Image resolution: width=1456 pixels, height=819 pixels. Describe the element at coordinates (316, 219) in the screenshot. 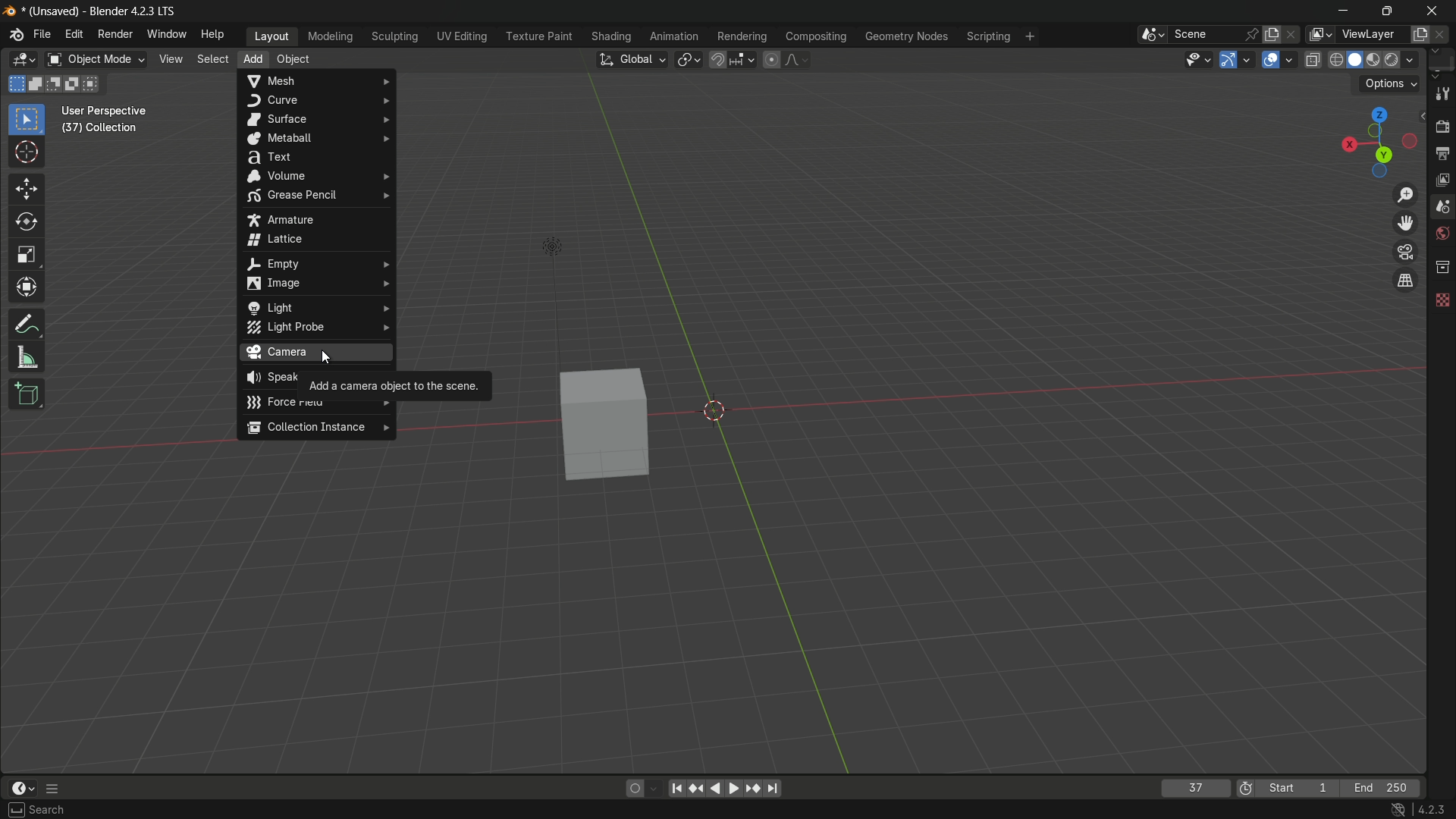

I see `armature` at that location.